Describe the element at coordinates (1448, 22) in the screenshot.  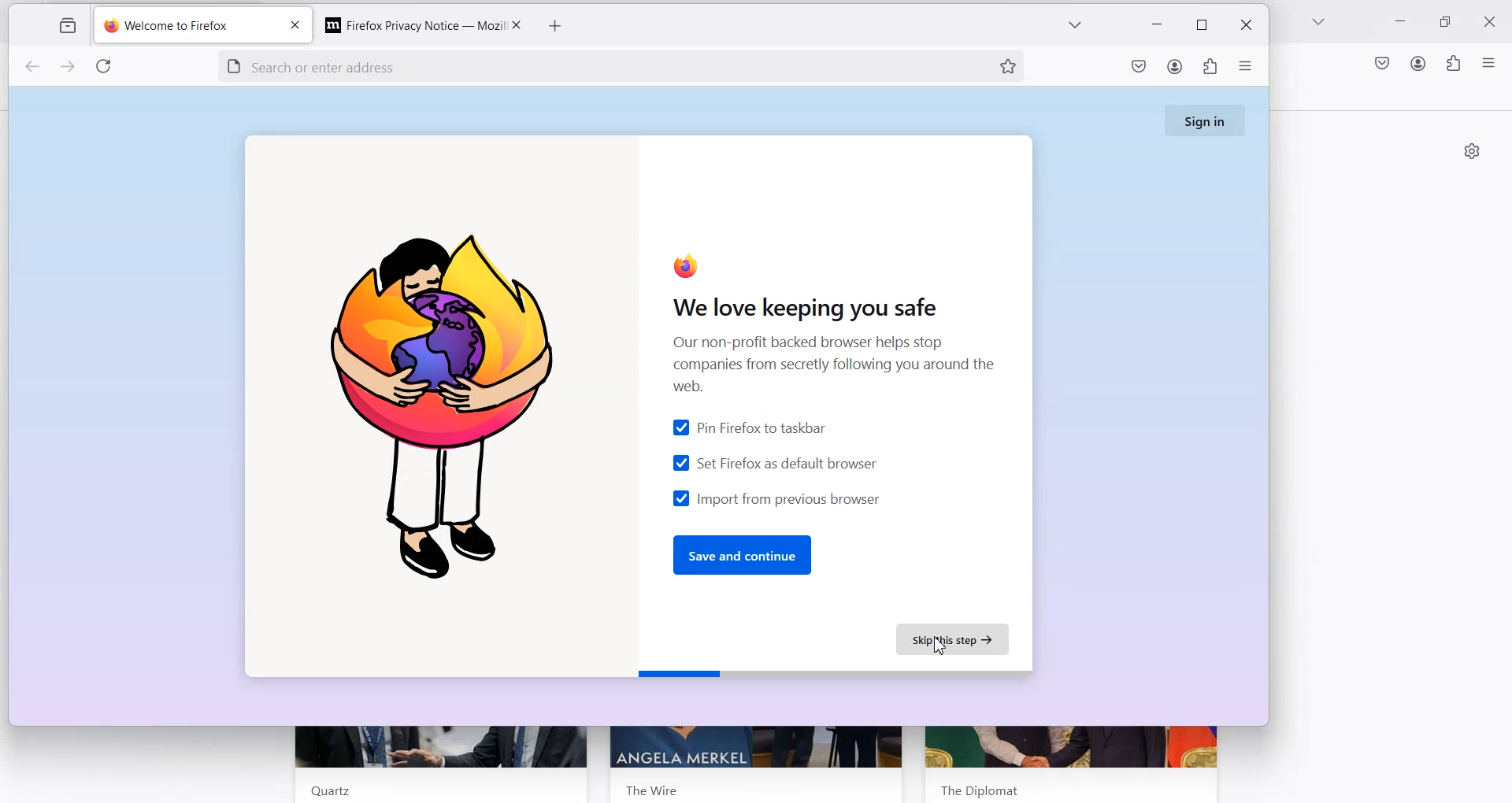
I see `Maximize` at that location.